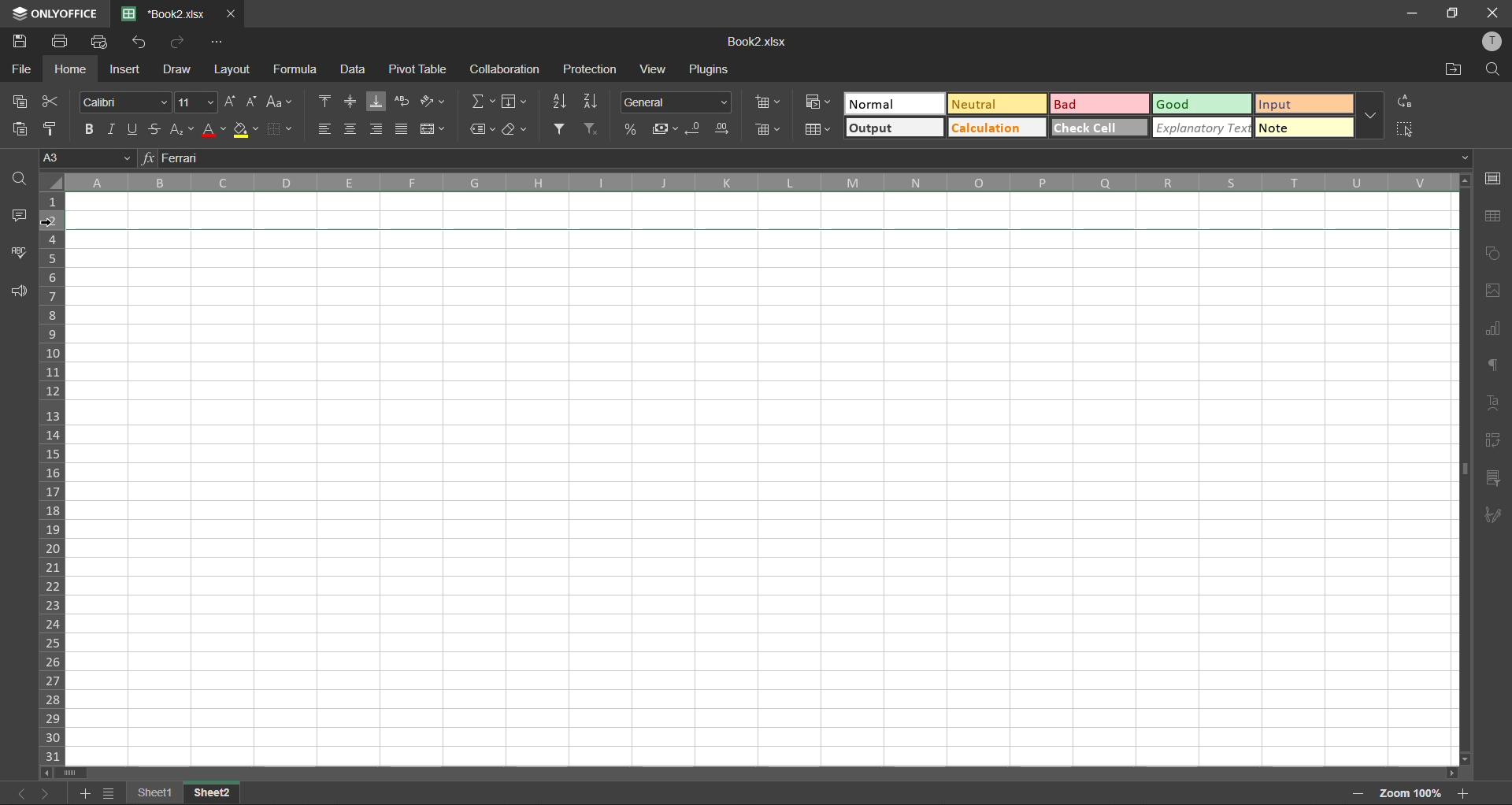  What do you see at coordinates (175, 68) in the screenshot?
I see `draw` at bounding box center [175, 68].